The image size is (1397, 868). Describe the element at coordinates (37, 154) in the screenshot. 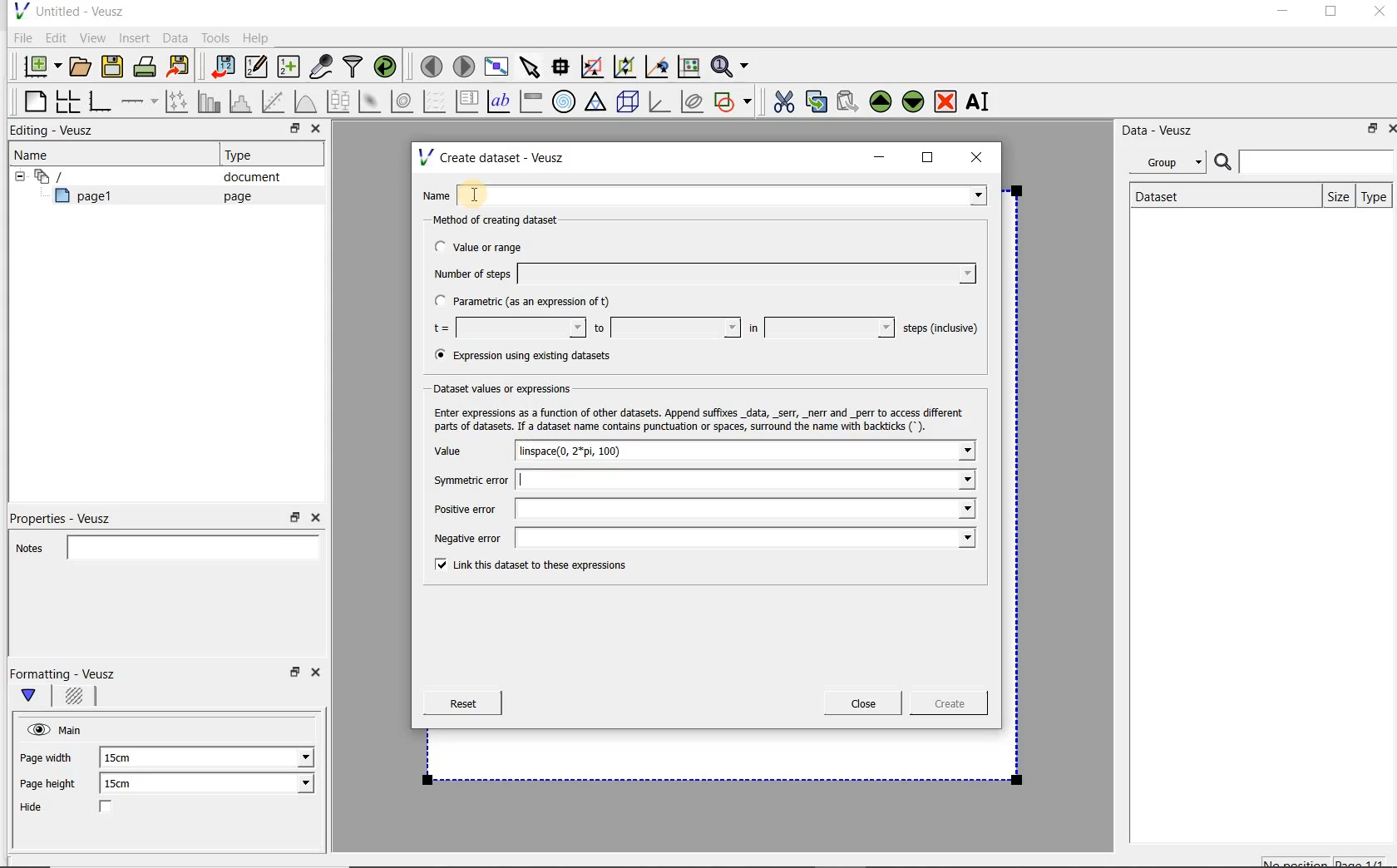

I see `Name` at that location.